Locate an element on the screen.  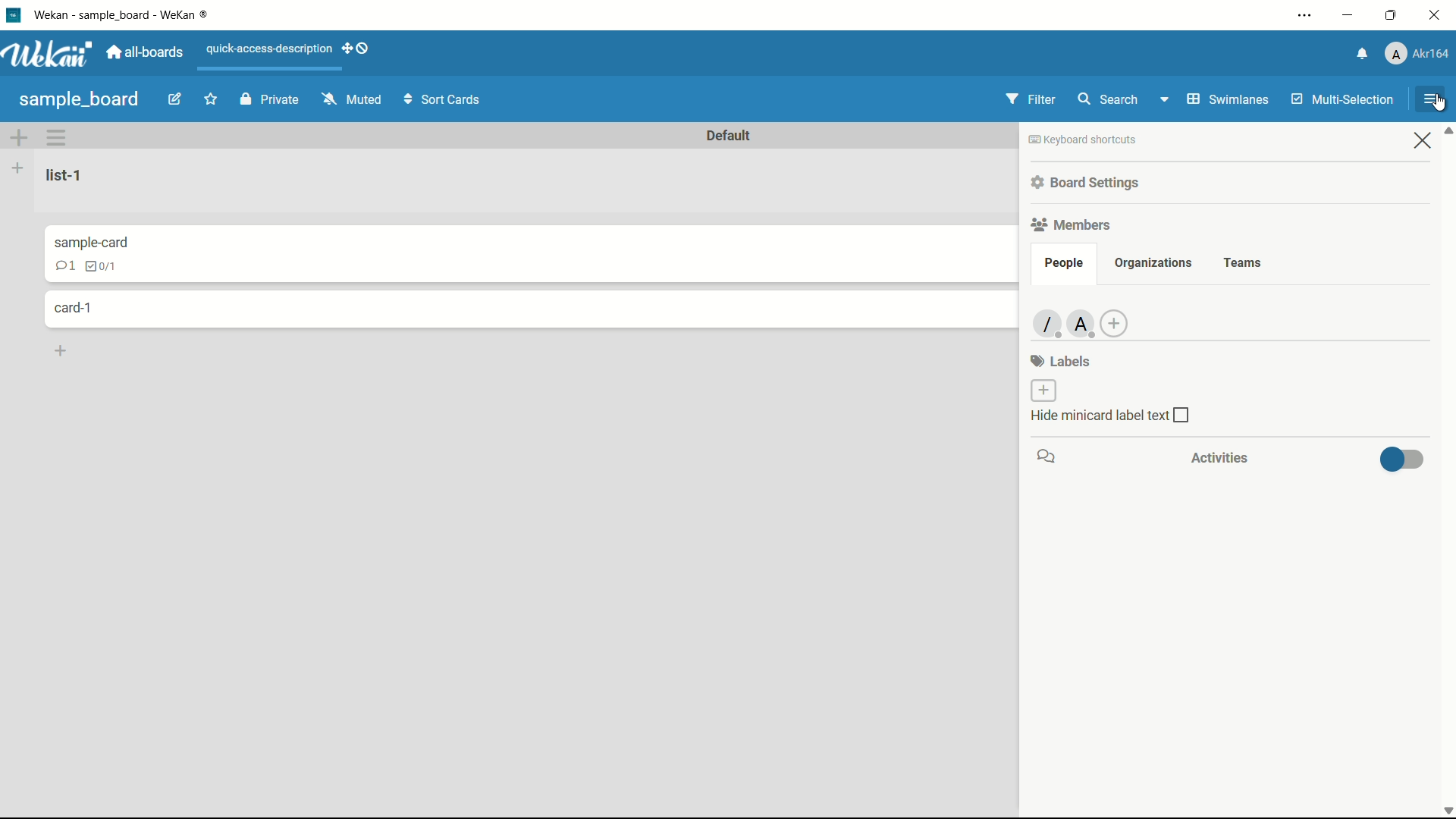
app logo is located at coordinates (47, 54).